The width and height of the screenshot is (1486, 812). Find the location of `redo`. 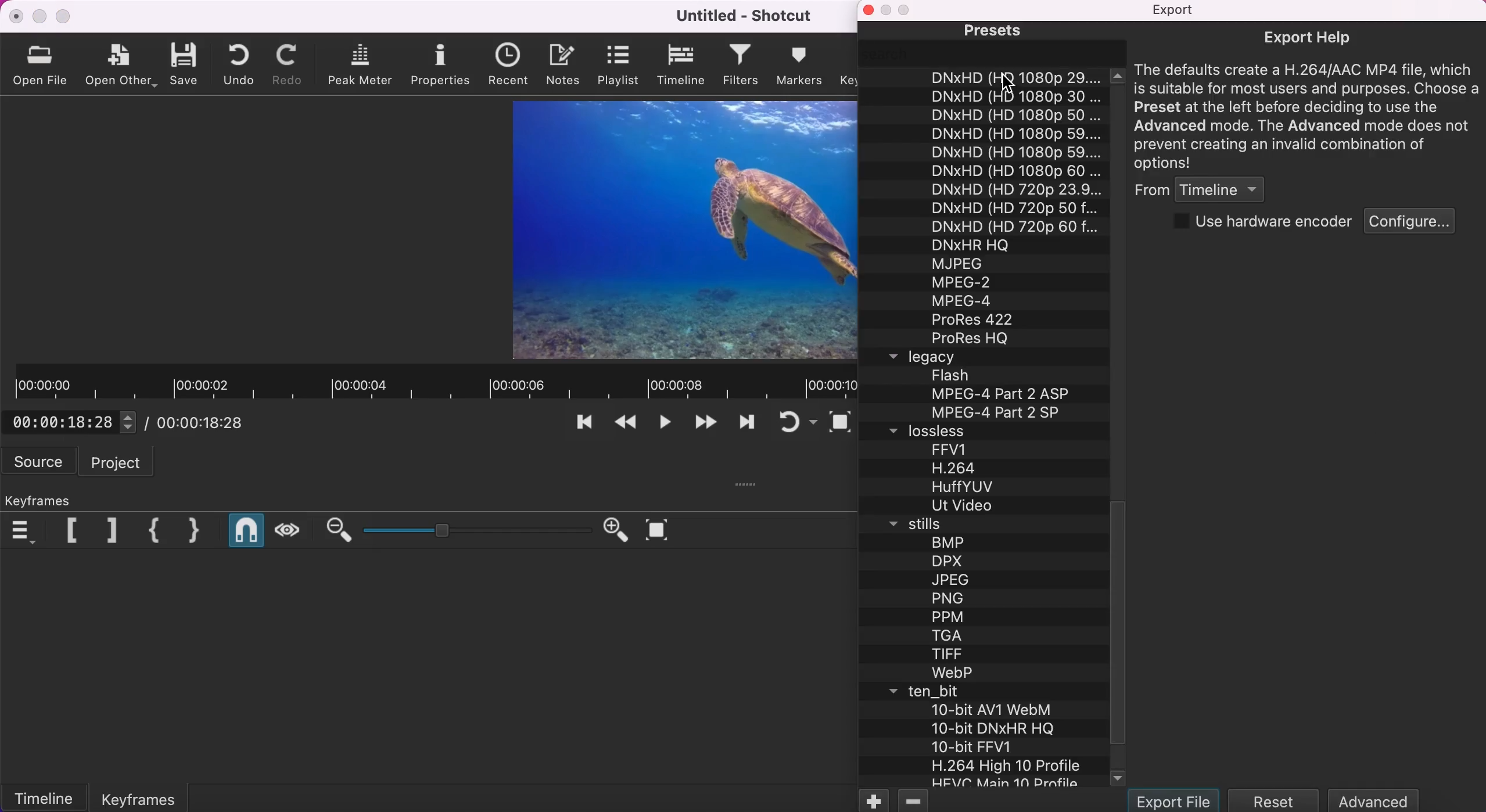

redo is located at coordinates (289, 63).